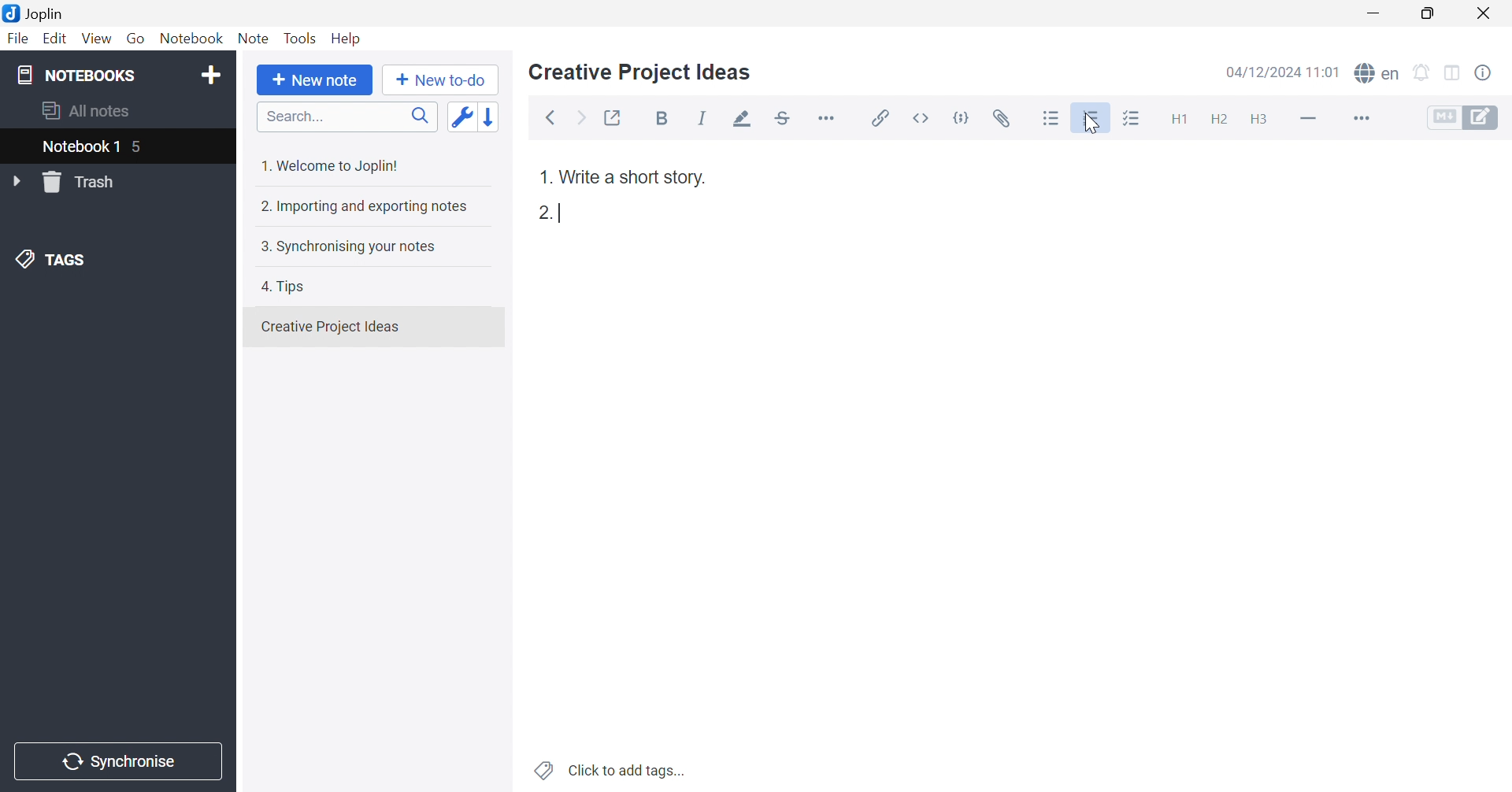 This screenshot has height=792, width=1512. I want to click on Search, so click(347, 118).